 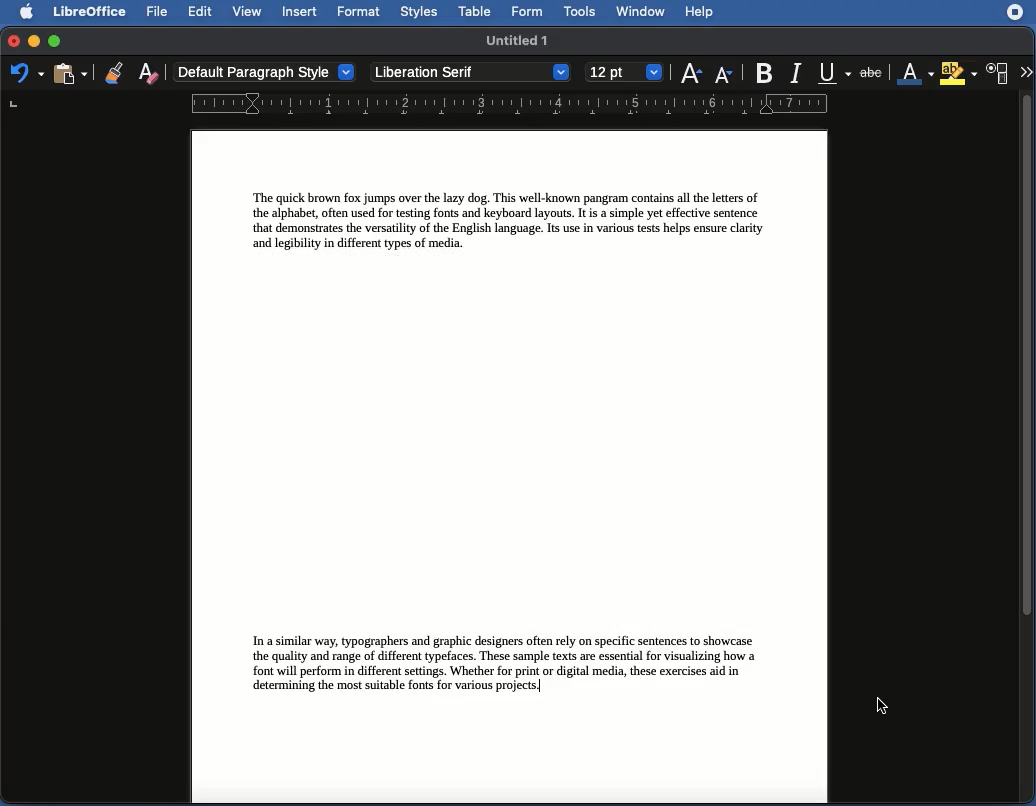 I want to click on Help, so click(x=700, y=13).